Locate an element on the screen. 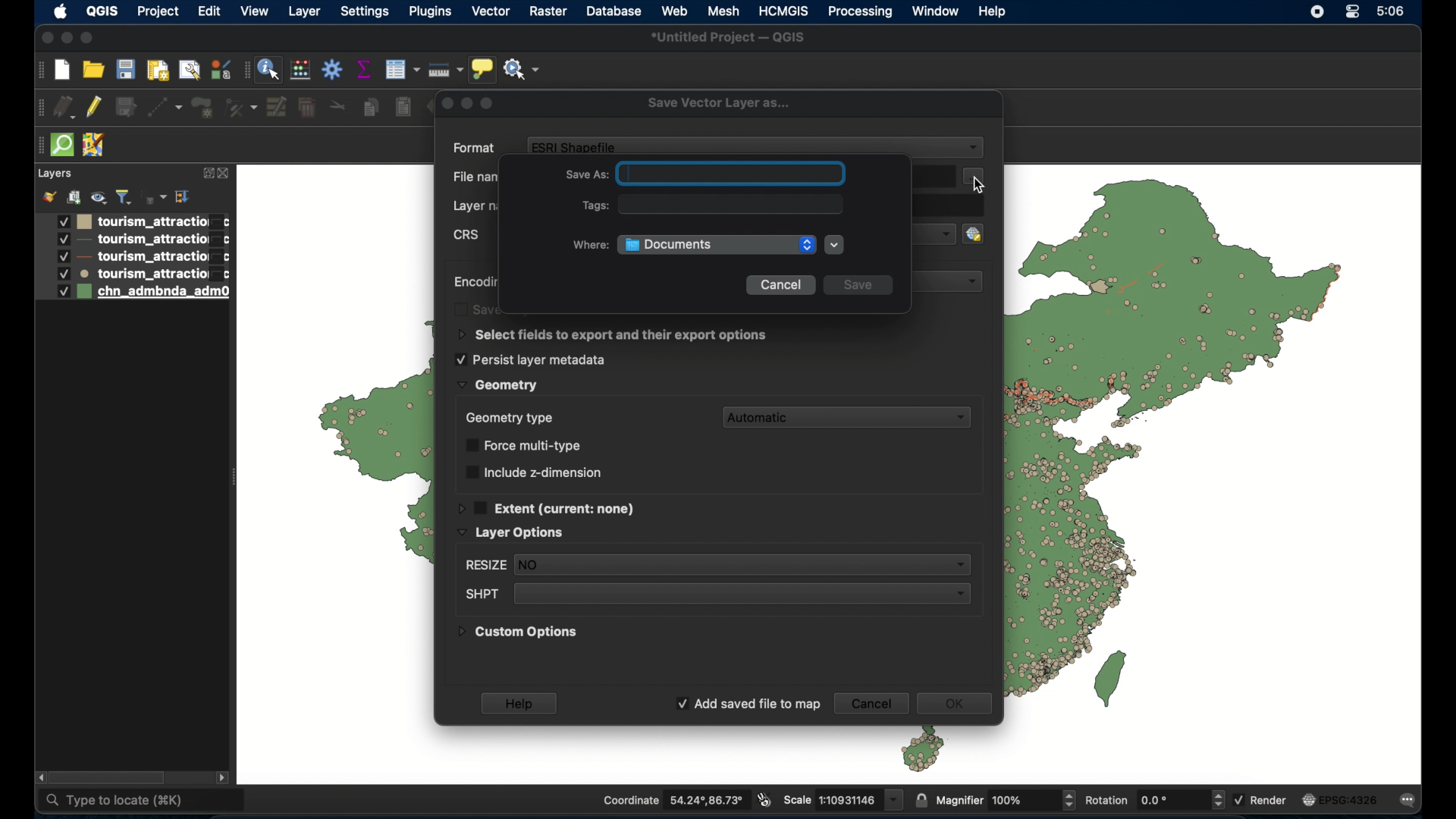  format is located at coordinates (475, 149).